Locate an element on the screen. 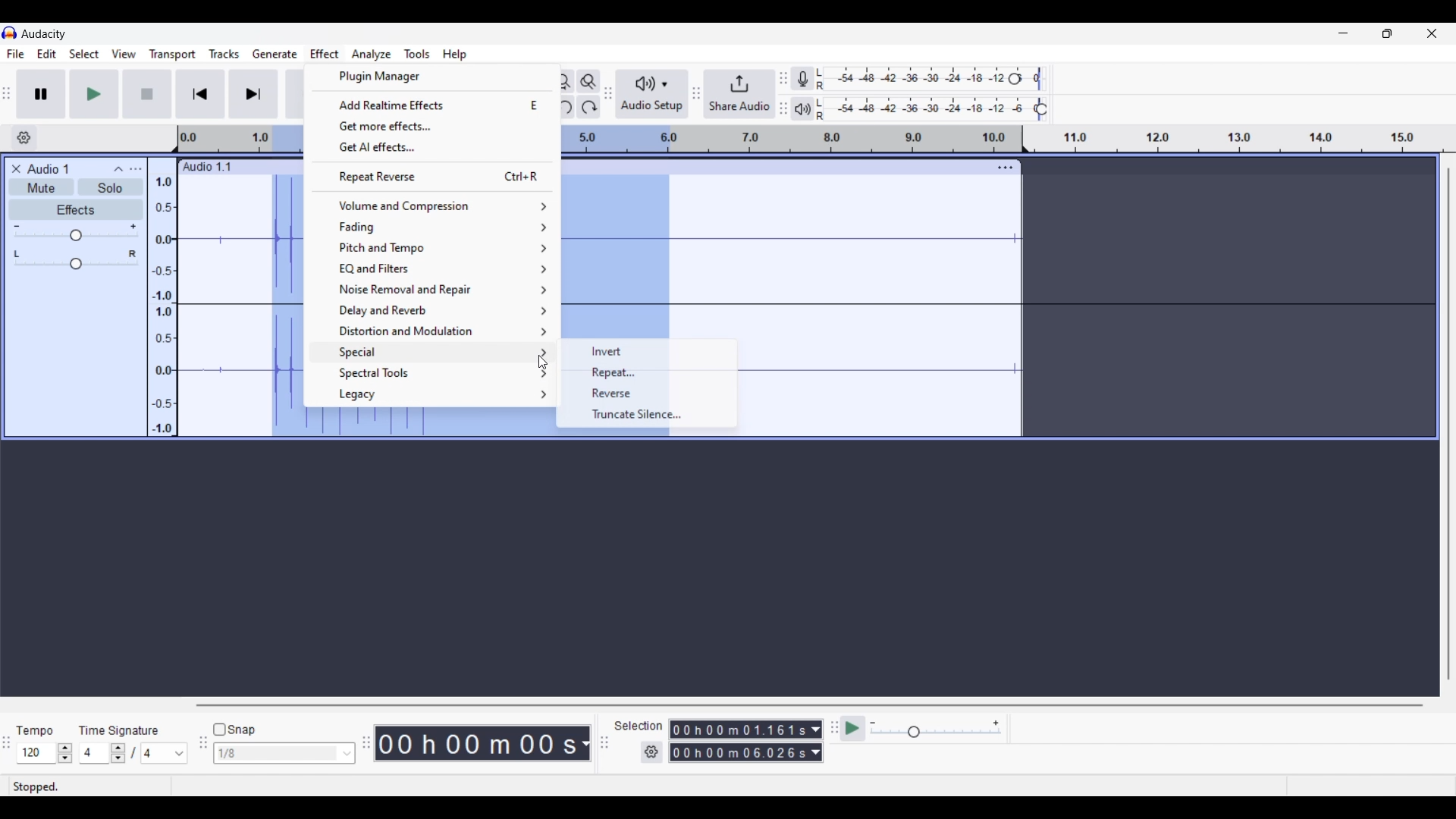 This screenshot has height=819, width=1456. Transport menu is located at coordinates (173, 54).